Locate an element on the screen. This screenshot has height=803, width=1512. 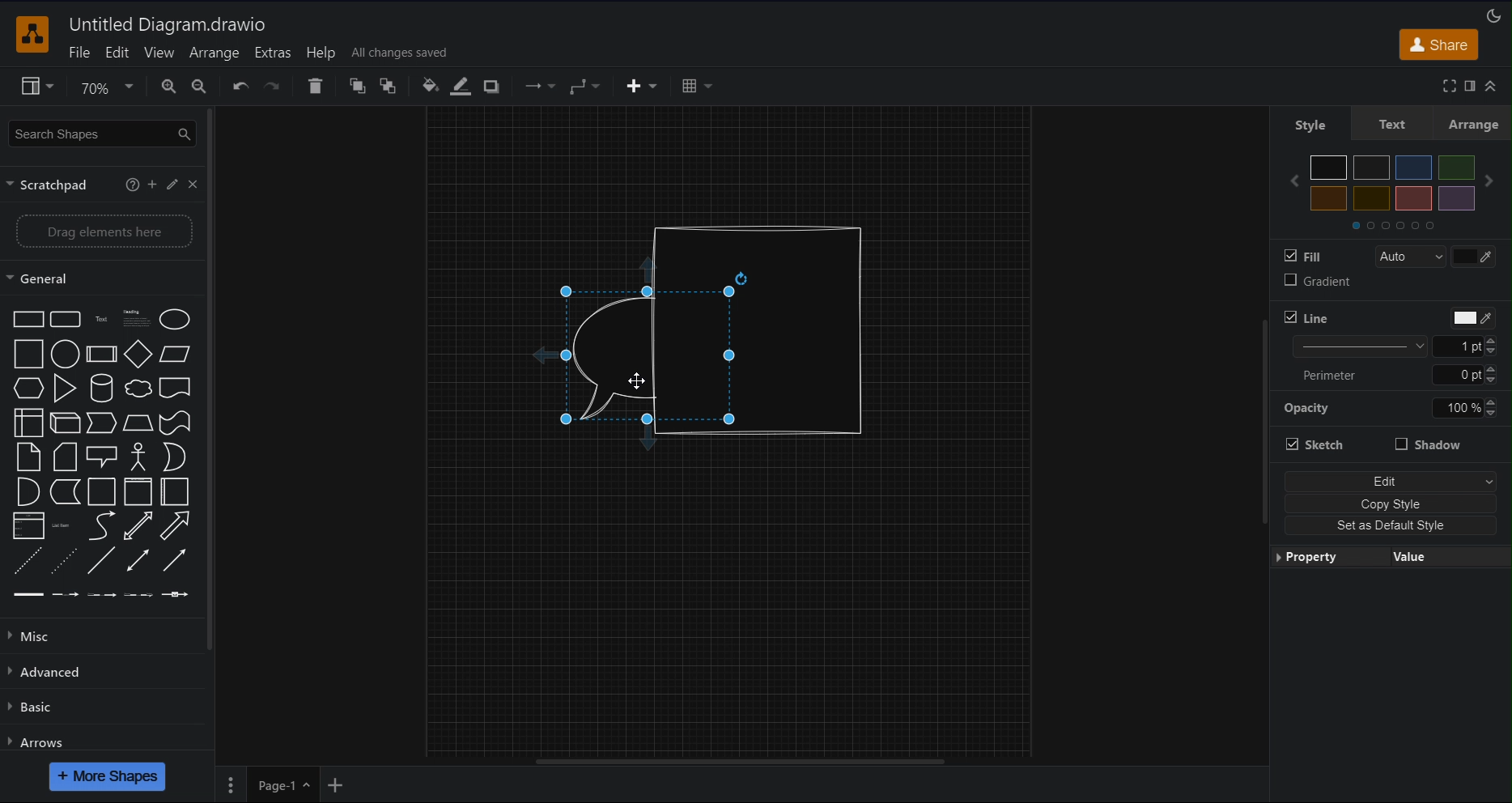
Or is located at coordinates (174, 457).